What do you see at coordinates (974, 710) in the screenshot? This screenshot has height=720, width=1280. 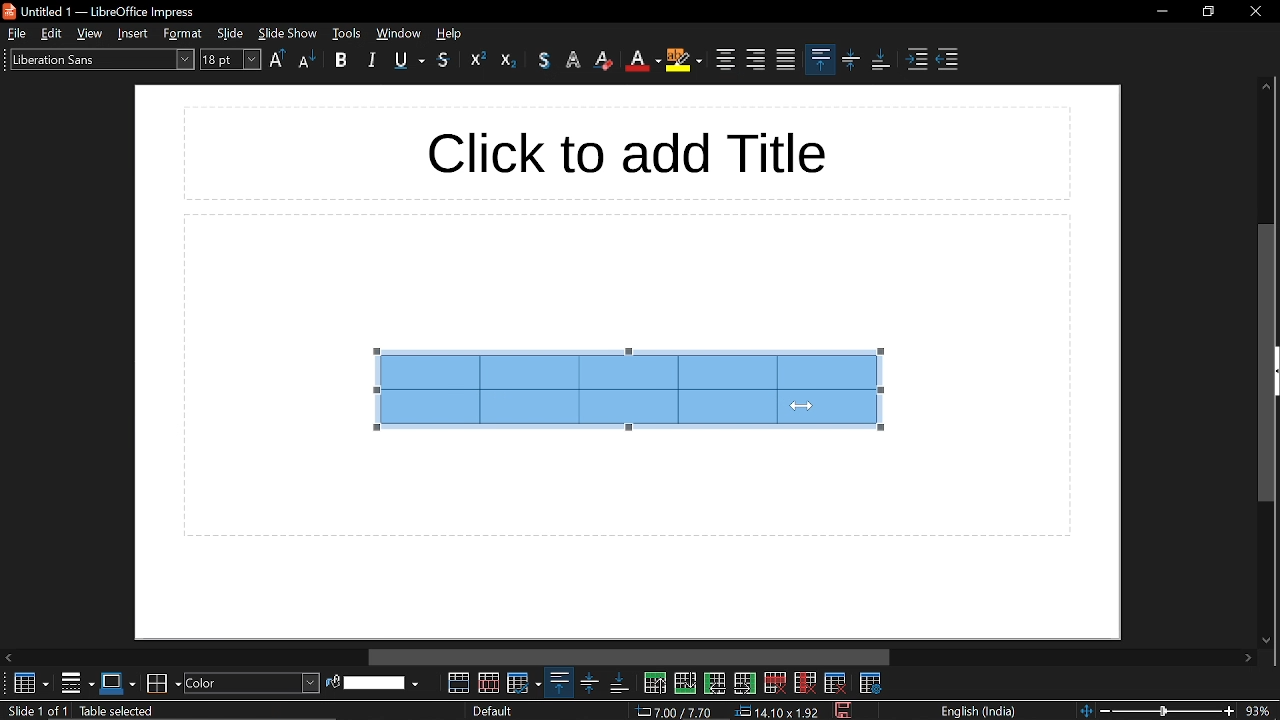 I see `language` at bounding box center [974, 710].